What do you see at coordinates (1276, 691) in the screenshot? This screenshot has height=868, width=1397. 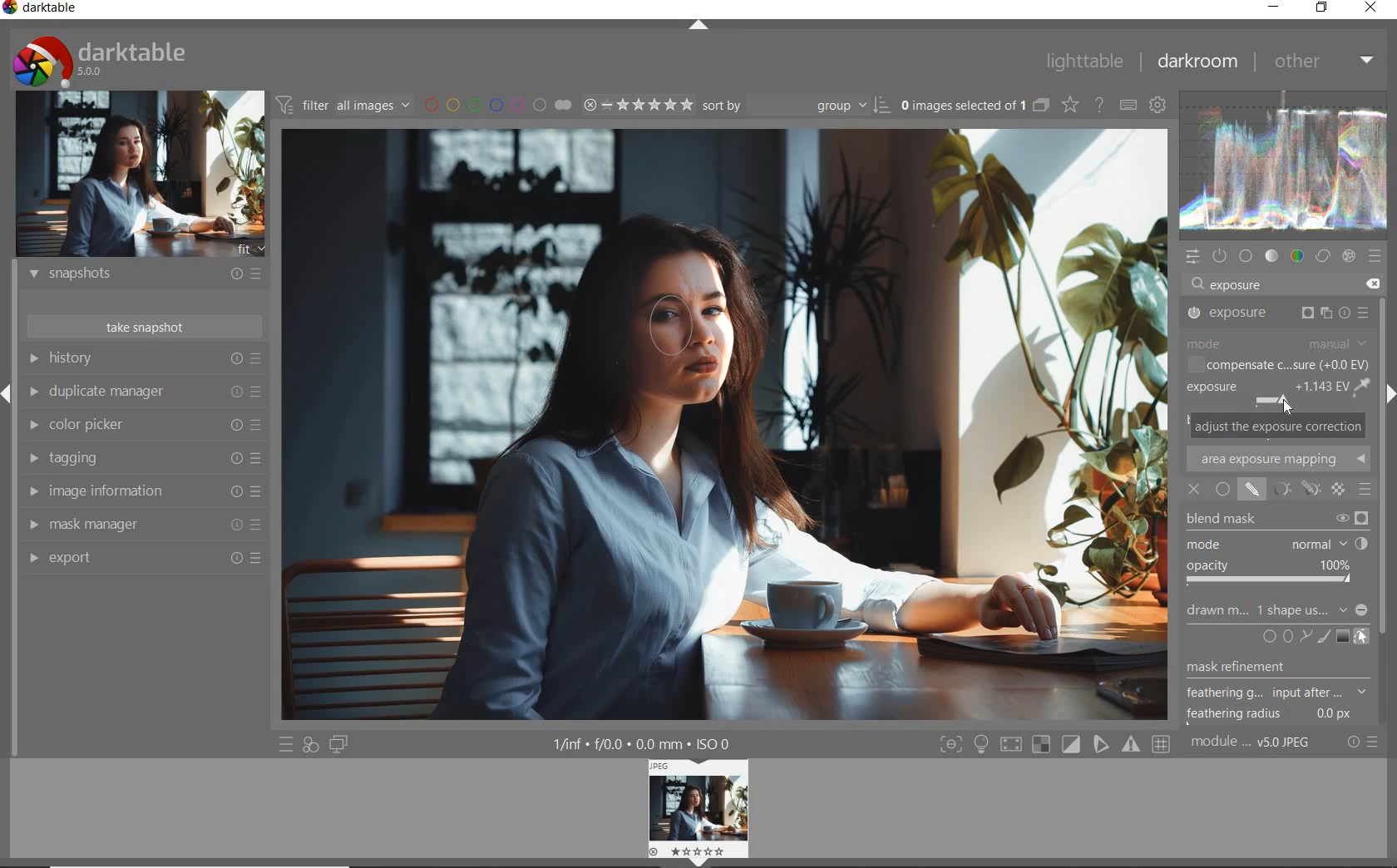 I see `feathering g...input after` at bounding box center [1276, 691].